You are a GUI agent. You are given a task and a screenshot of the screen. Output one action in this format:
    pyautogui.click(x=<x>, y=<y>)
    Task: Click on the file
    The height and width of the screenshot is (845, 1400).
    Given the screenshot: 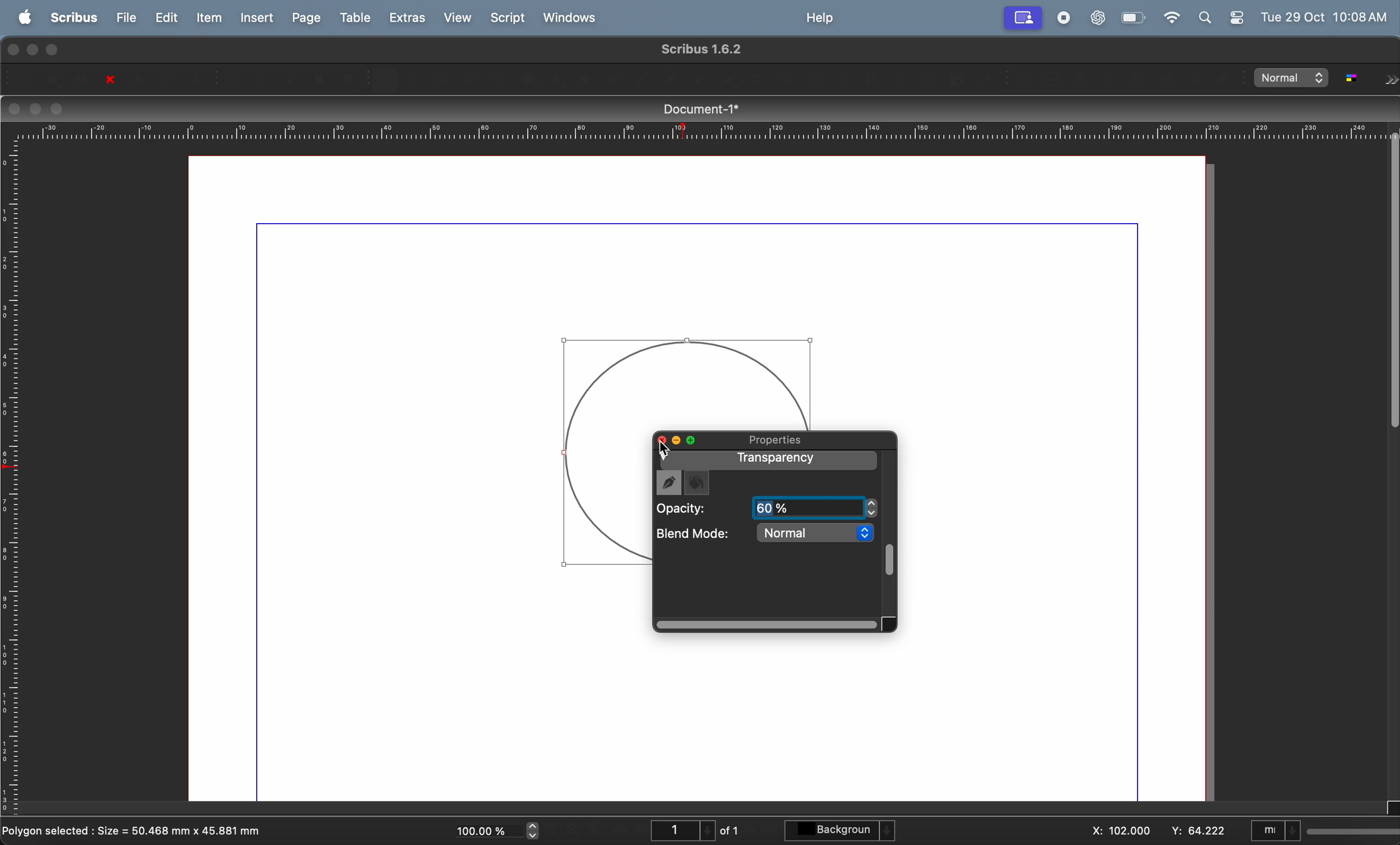 What is the action you would take?
    pyautogui.click(x=122, y=16)
    